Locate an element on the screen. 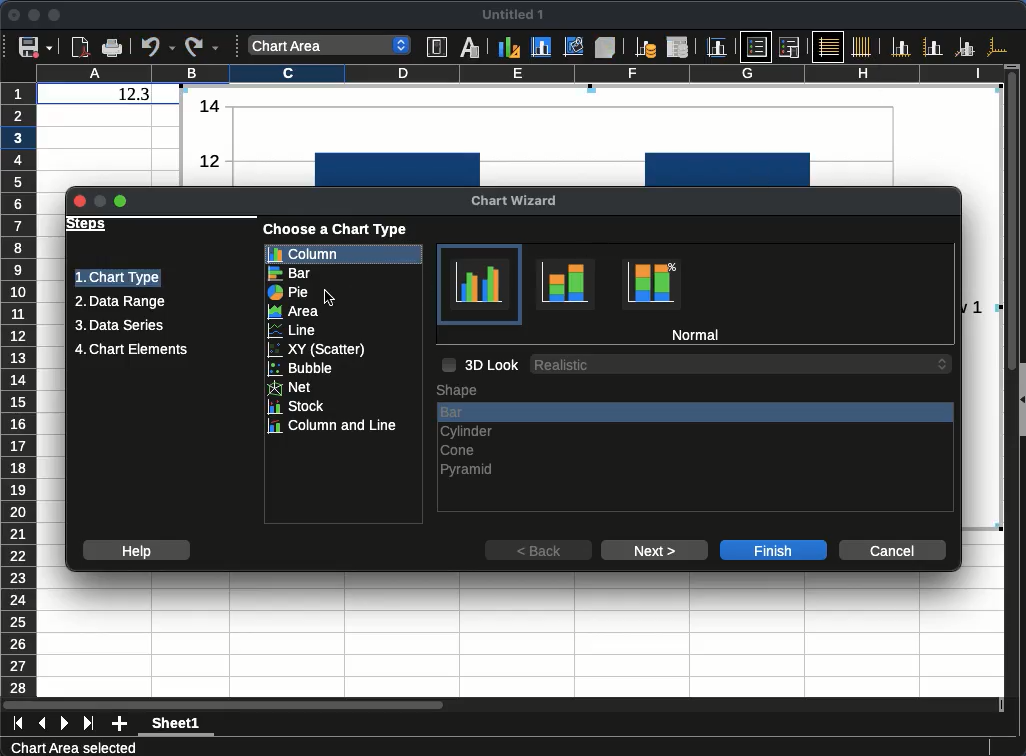  Legend is located at coordinates (789, 47).